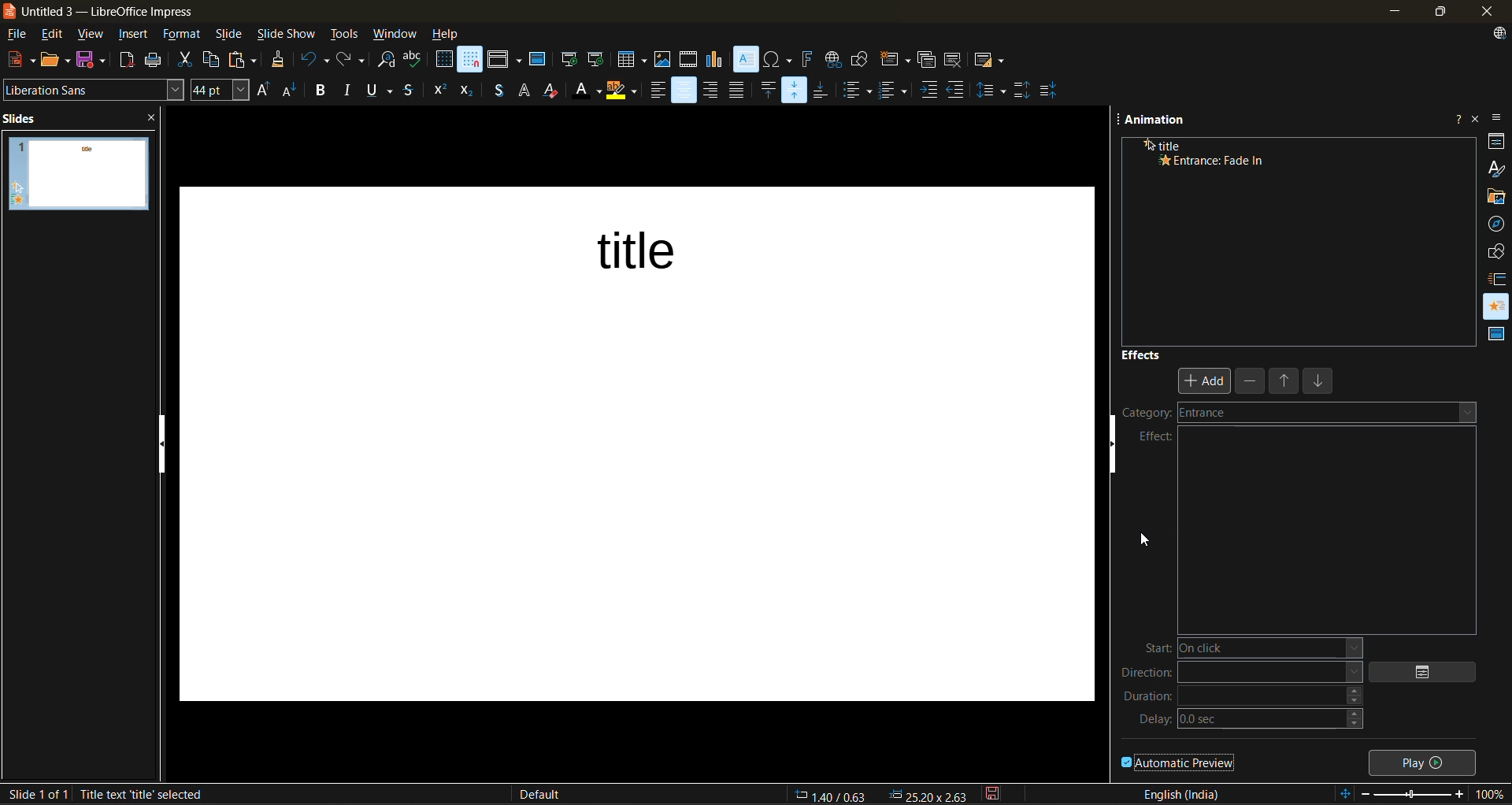 Image resolution: width=1512 pixels, height=805 pixels. What do you see at coordinates (1182, 793) in the screenshot?
I see `text language` at bounding box center [1182, 793].